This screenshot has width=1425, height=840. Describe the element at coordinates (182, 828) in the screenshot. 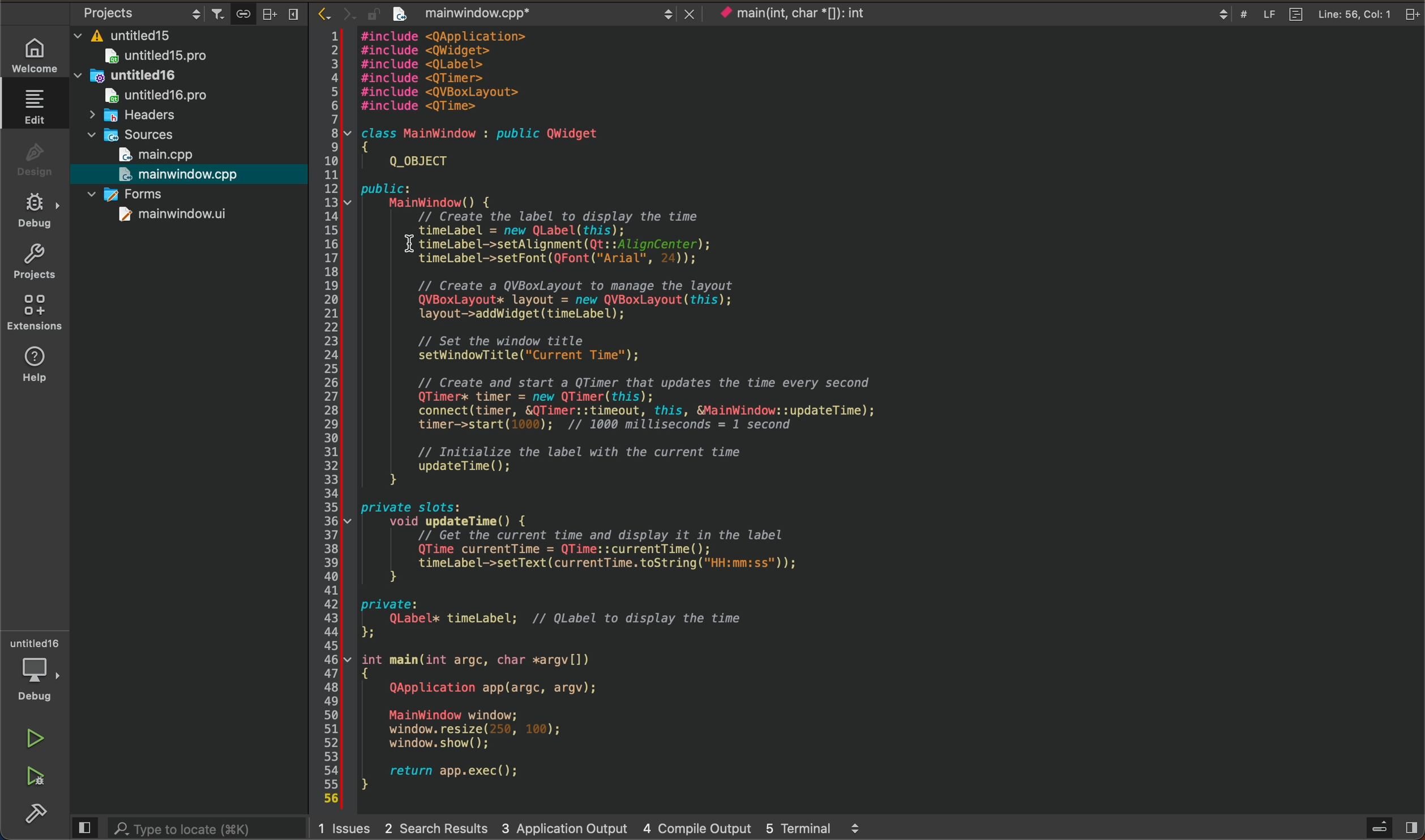

I see `Type to locate` at that location.